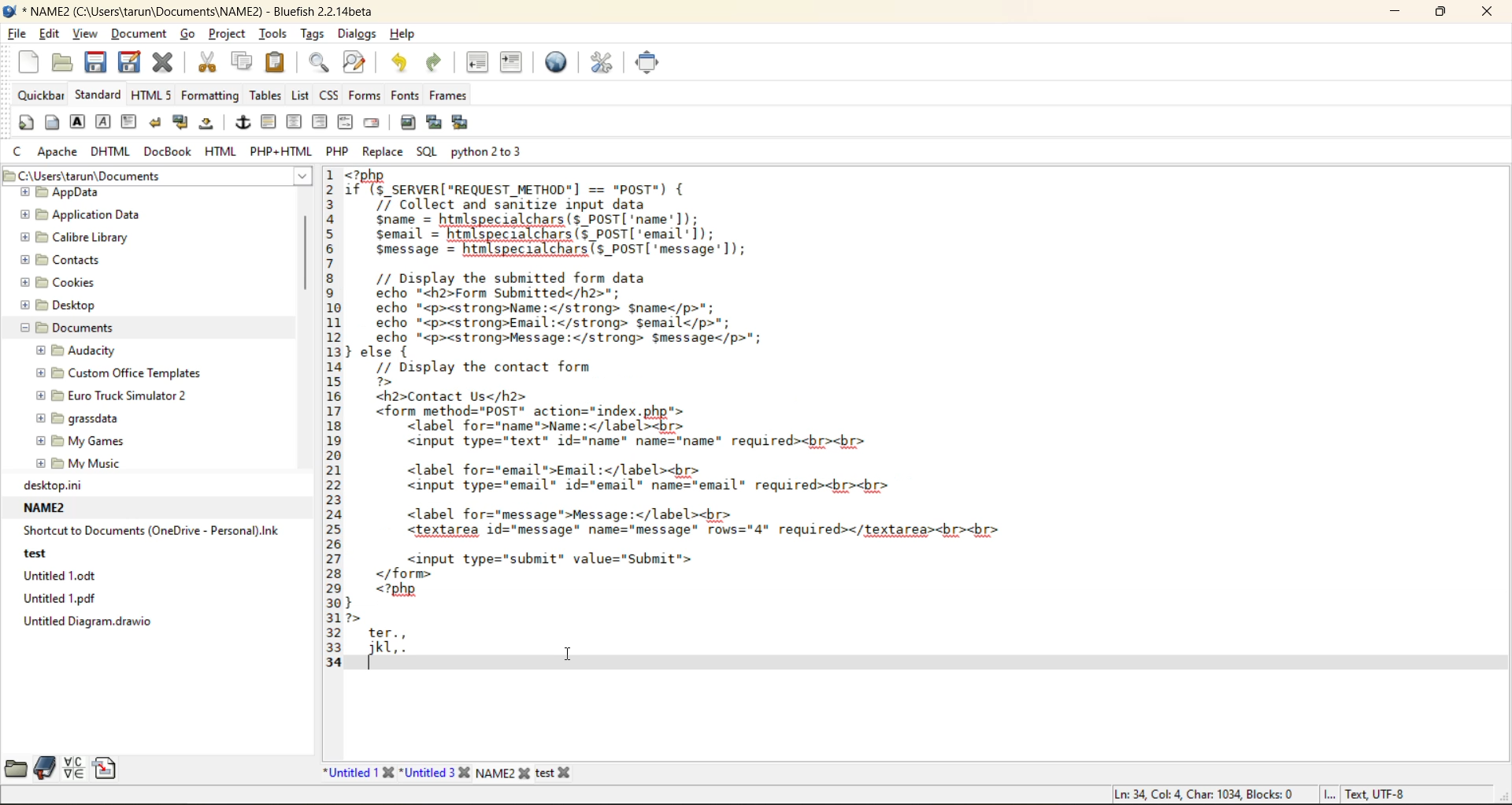  What do you see at coordinates (334, 420) in the screenshot?
I see `line numberss` at bounding box center [334, 420].